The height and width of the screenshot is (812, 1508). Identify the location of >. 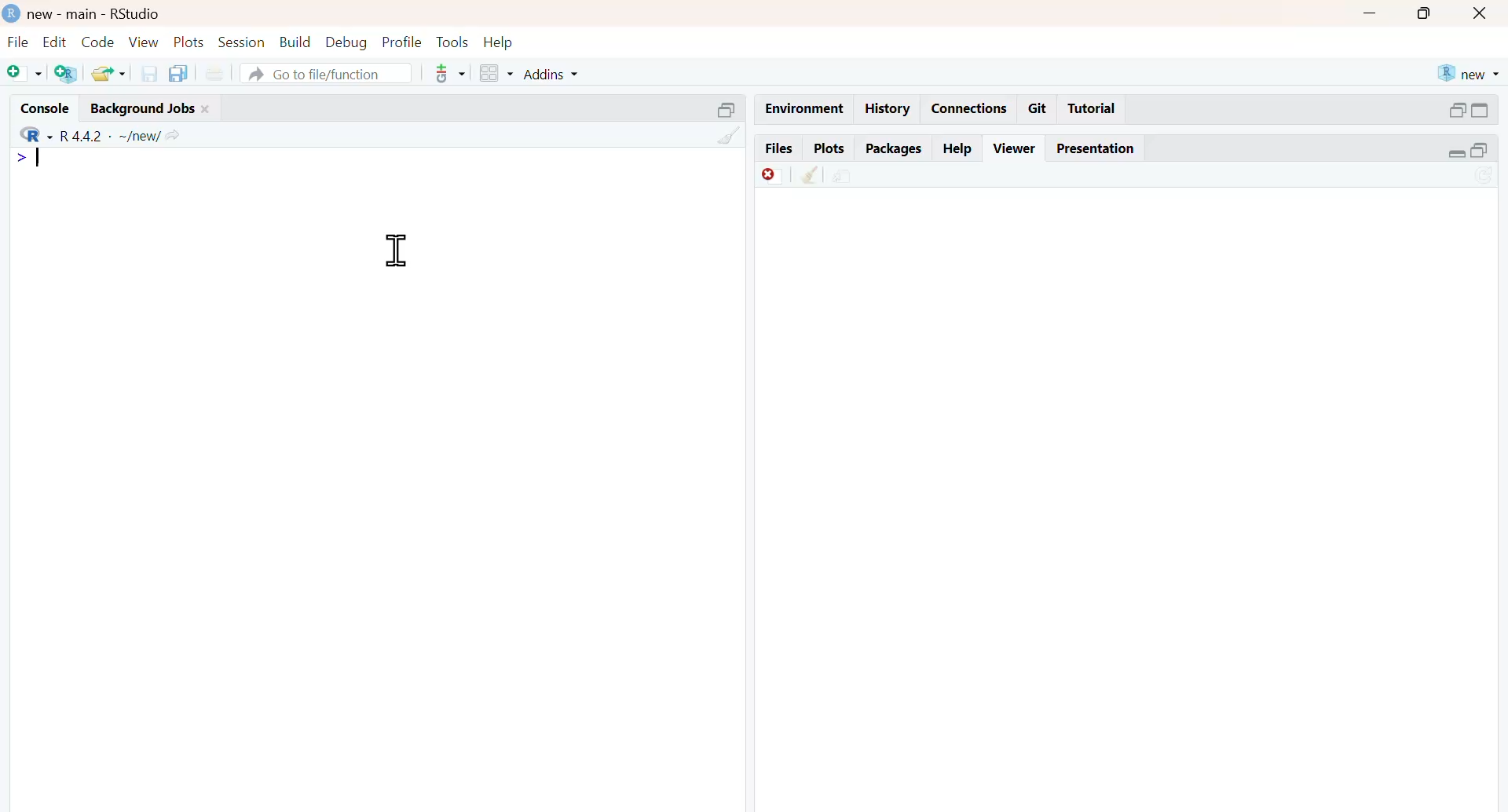
(22, 159).